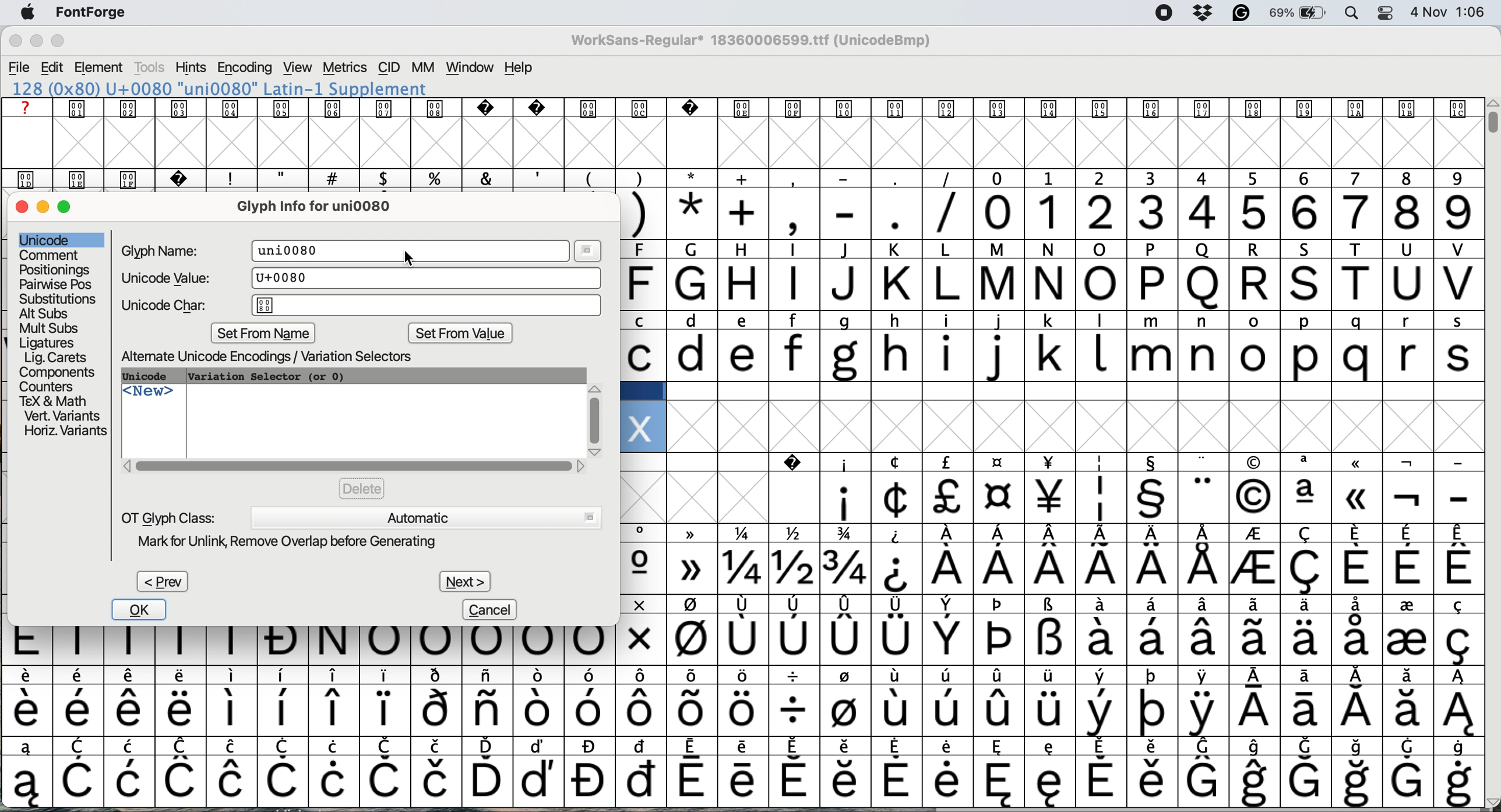 The width and height of the screenshot is (1501, 812). Describe the element at coordinates (244, 68) in the screenshot. I see `encoding` at that location.